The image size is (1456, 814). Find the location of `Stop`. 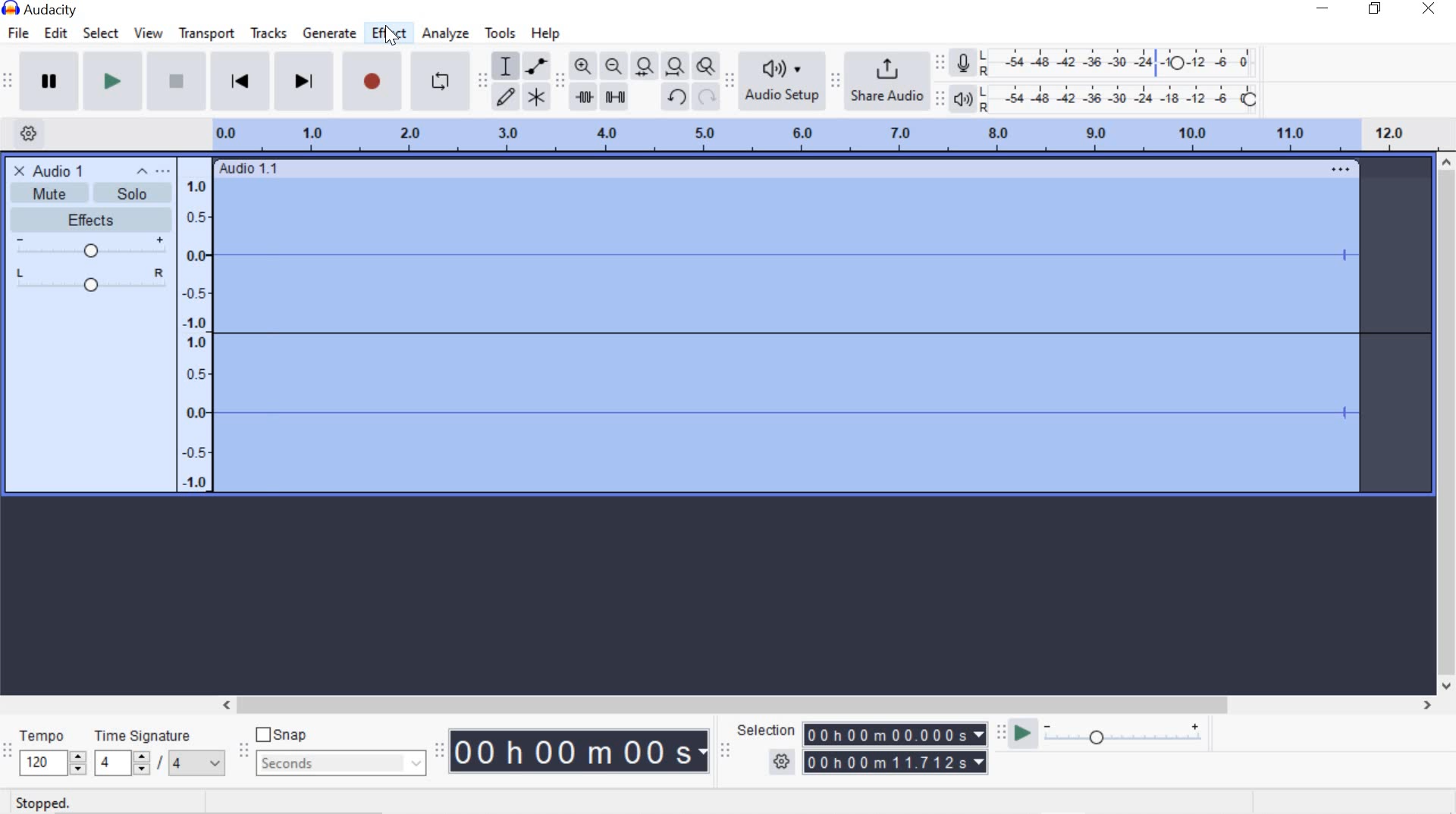

Stop is located at coordinates (174, 83).